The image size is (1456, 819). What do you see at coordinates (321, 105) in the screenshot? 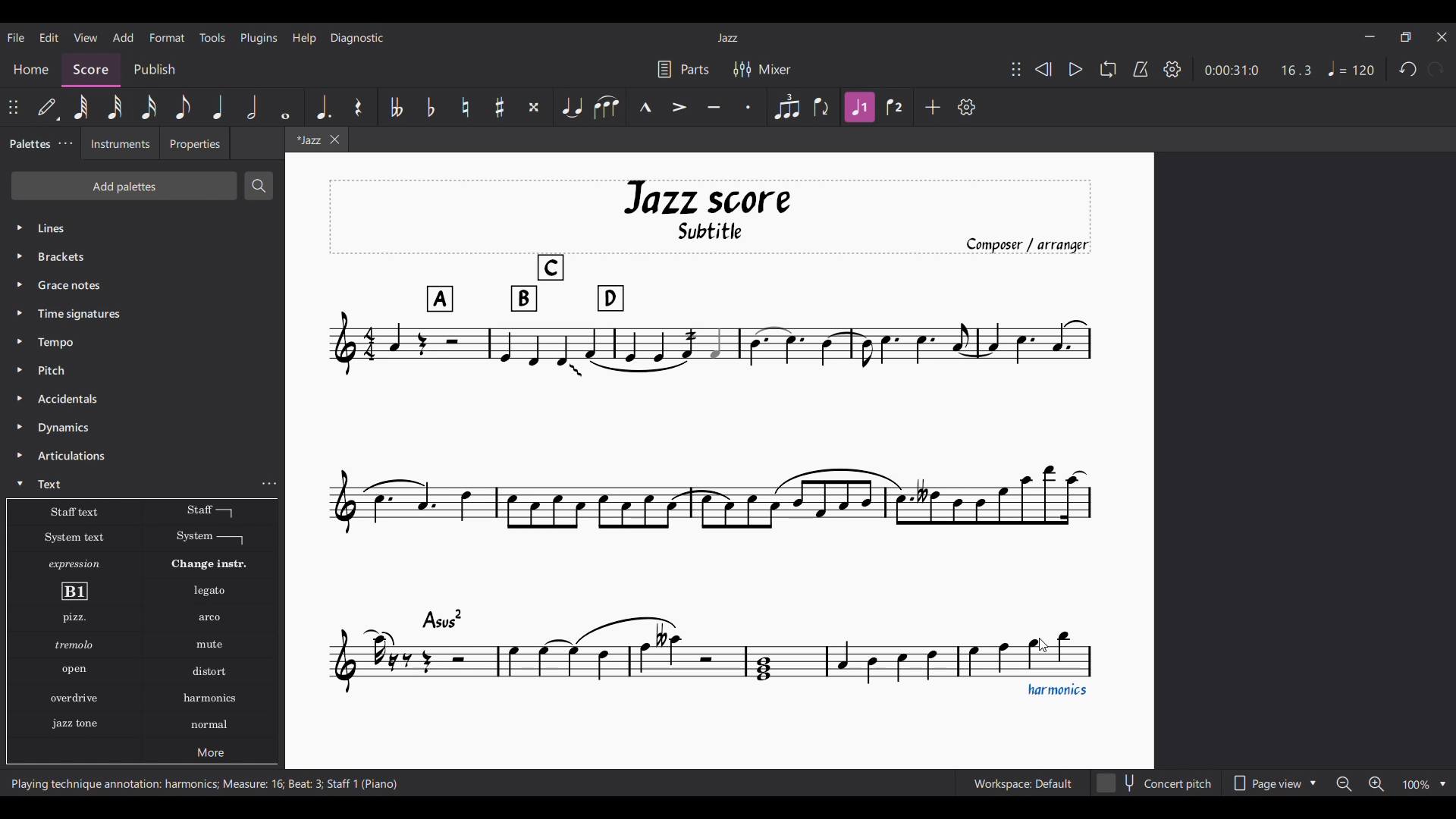
I see `Augmentation dot` at bounding box center [321, 105].